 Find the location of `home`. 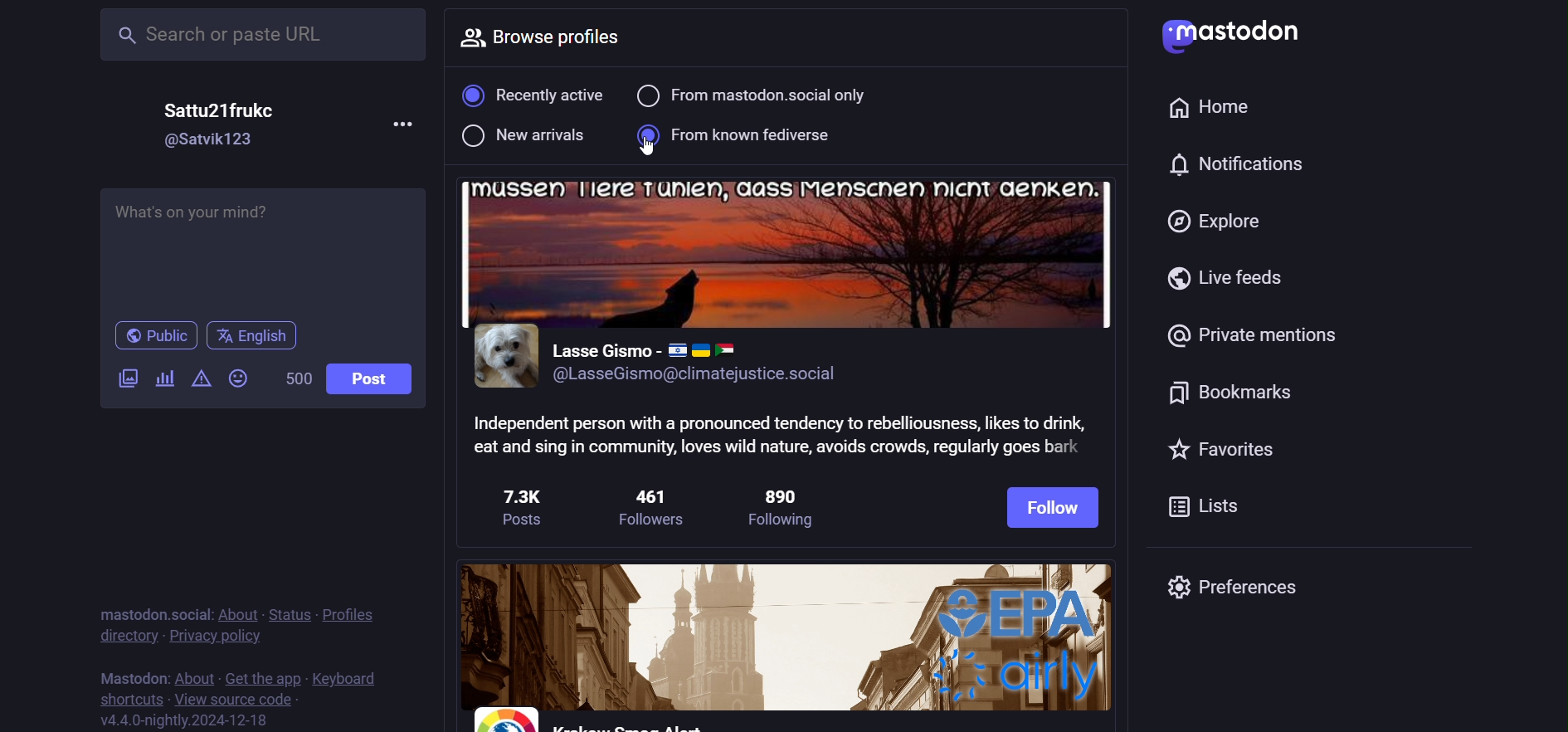

home is located at coordinates (1214, 109).